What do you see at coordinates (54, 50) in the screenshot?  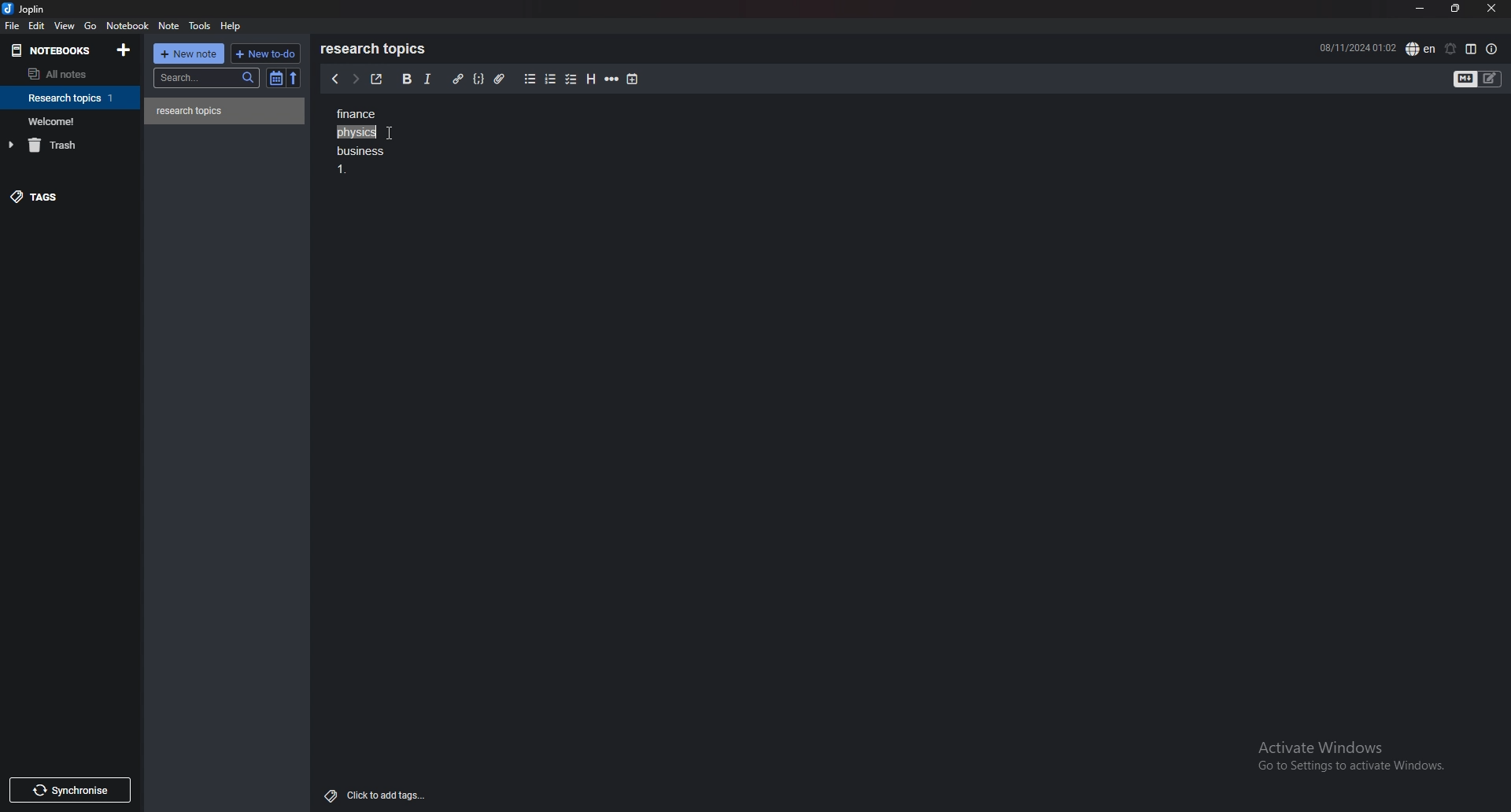 I see `notebooks` at bounding box center [54, 50].